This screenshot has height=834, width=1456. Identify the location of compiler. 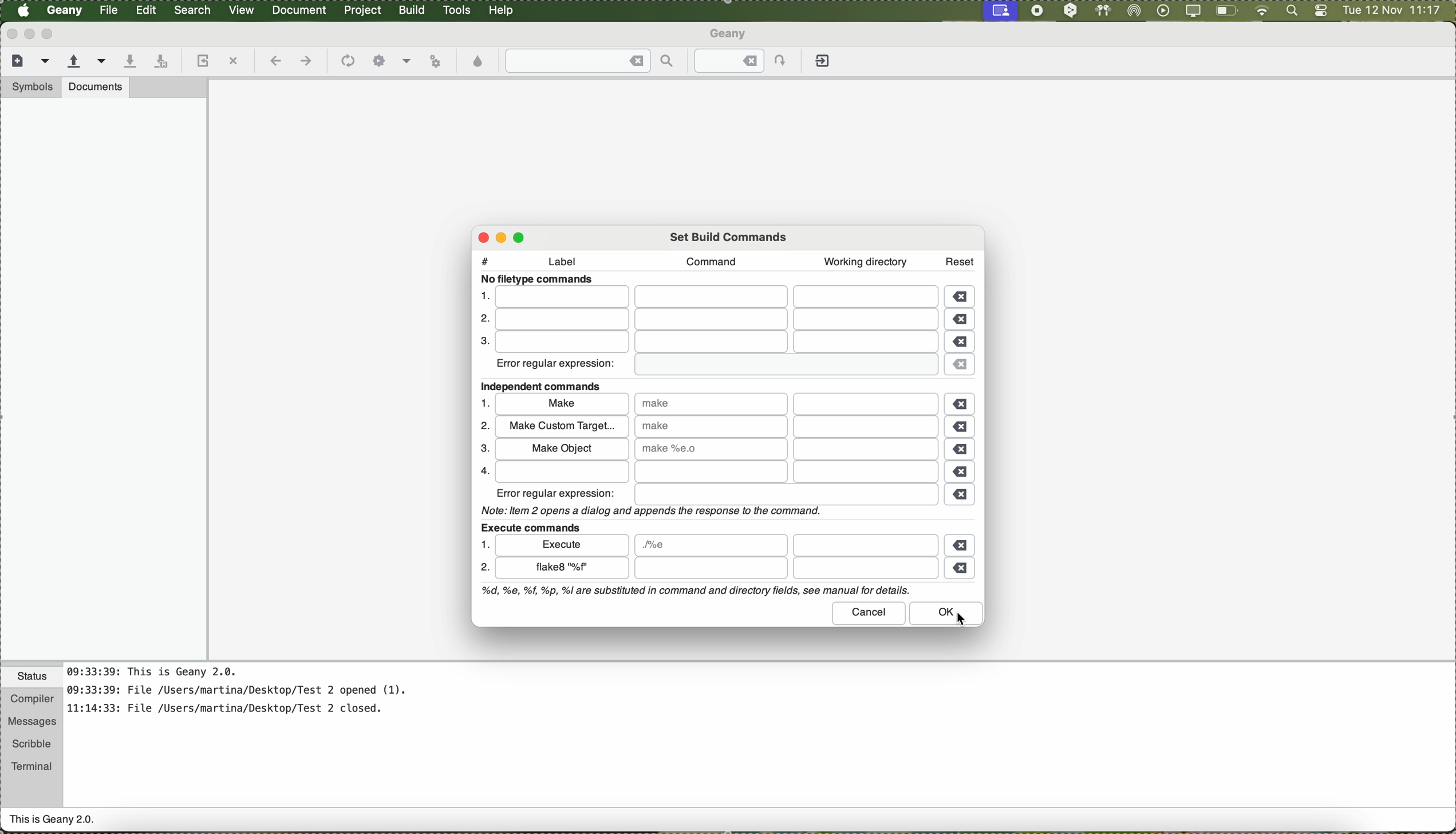
(31, 700).